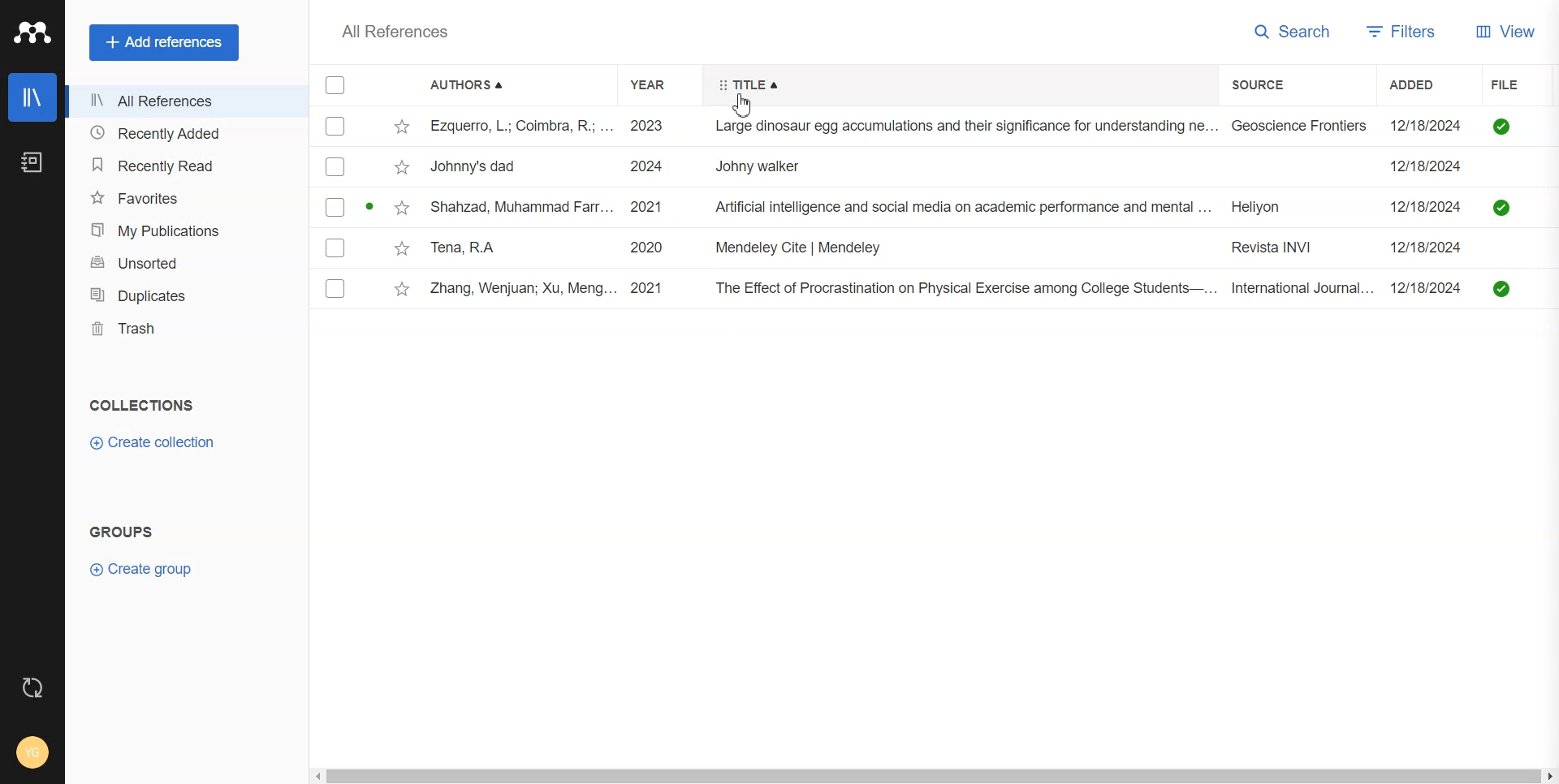 The image size is (1559, 784). Describe the element at coordinates (472, 85) in the screenshot. I see `Authors` at that location.